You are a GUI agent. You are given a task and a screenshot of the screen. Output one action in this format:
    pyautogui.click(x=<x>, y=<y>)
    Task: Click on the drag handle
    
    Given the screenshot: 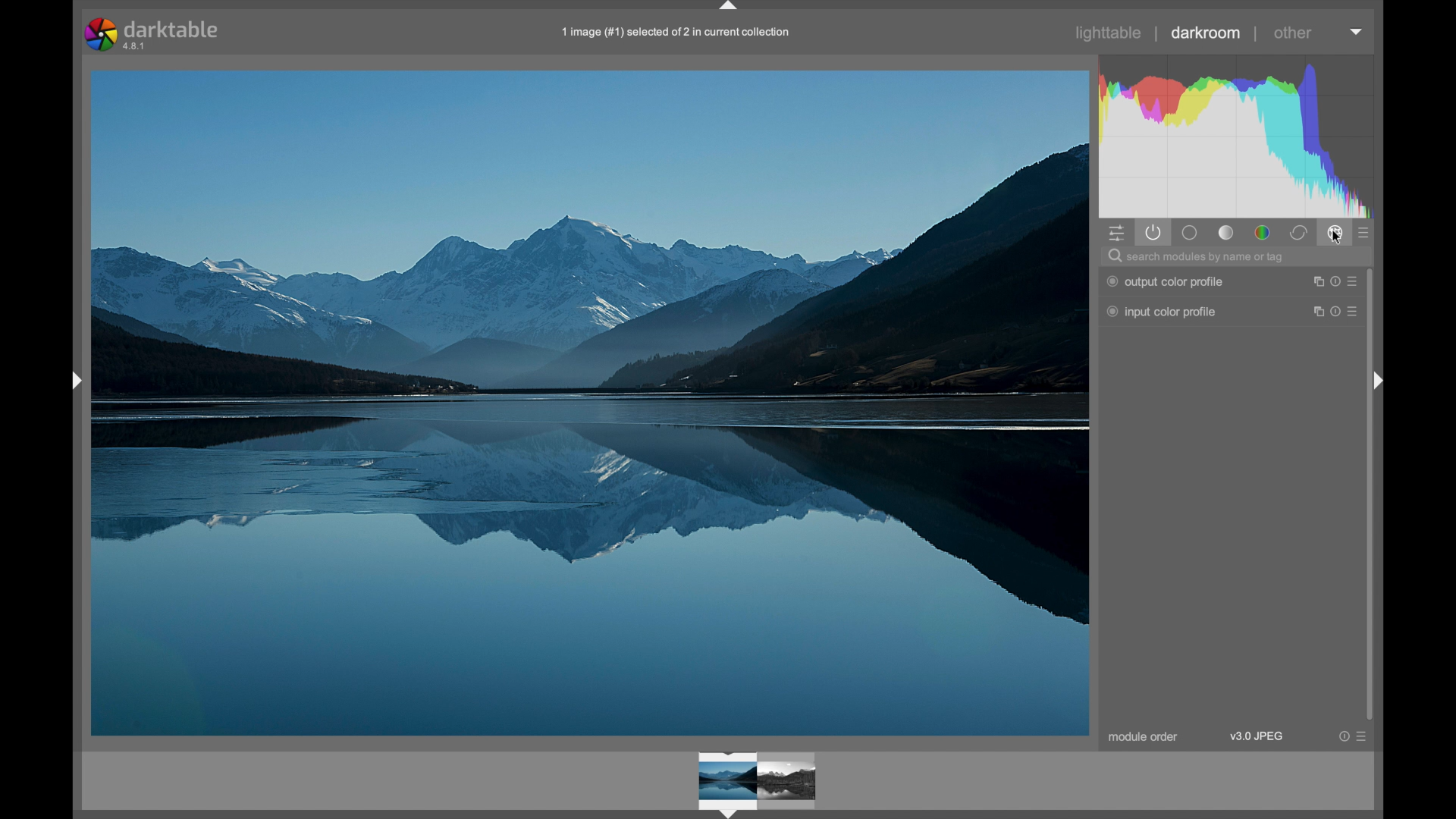 What is the action you would take?
    pyautogui.click(x=74, y=380)
    